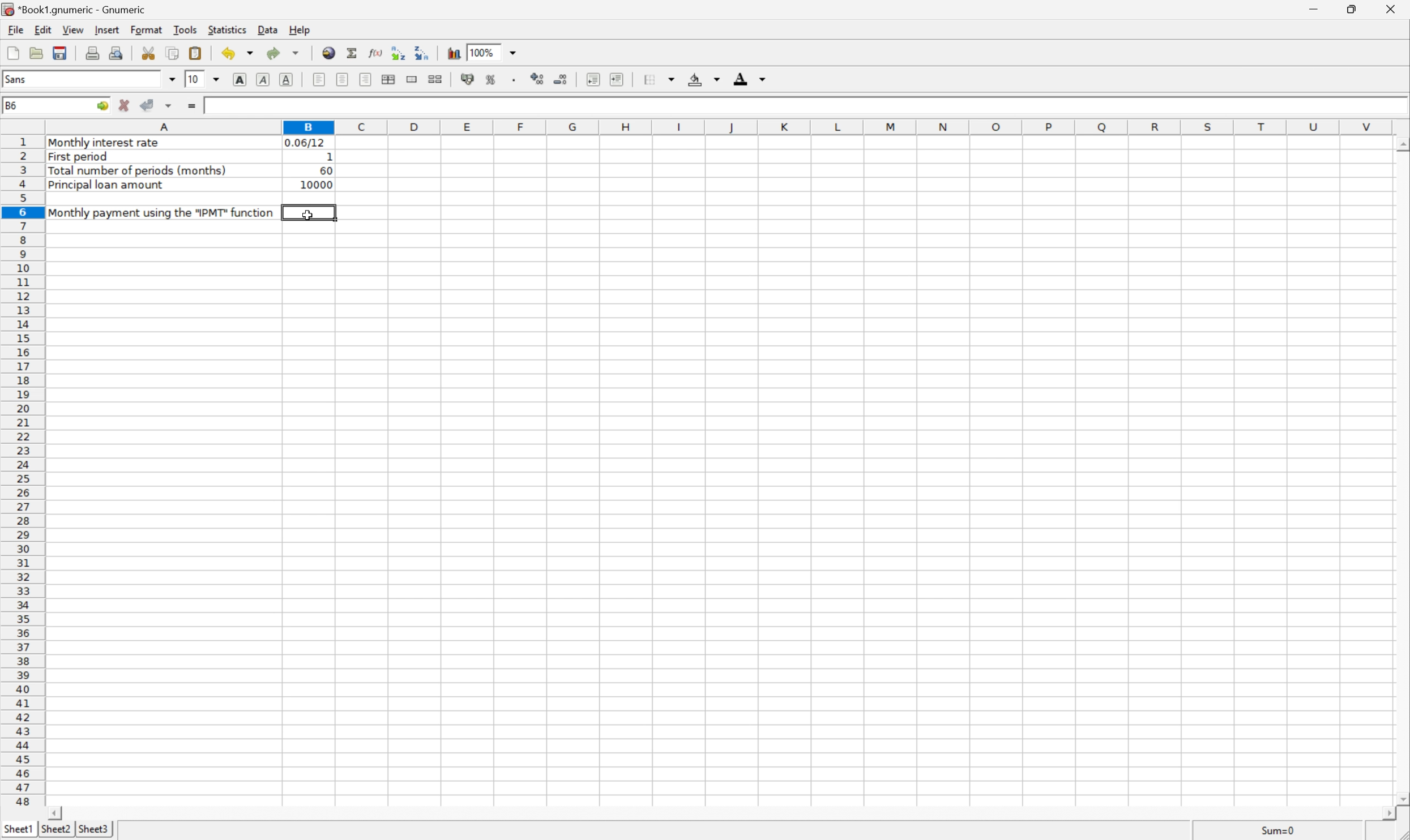 The height and width of the screenshot is (840, 1410). I want to click on Set the format of the selected cells to include a thousands separator, so click(513, 79).